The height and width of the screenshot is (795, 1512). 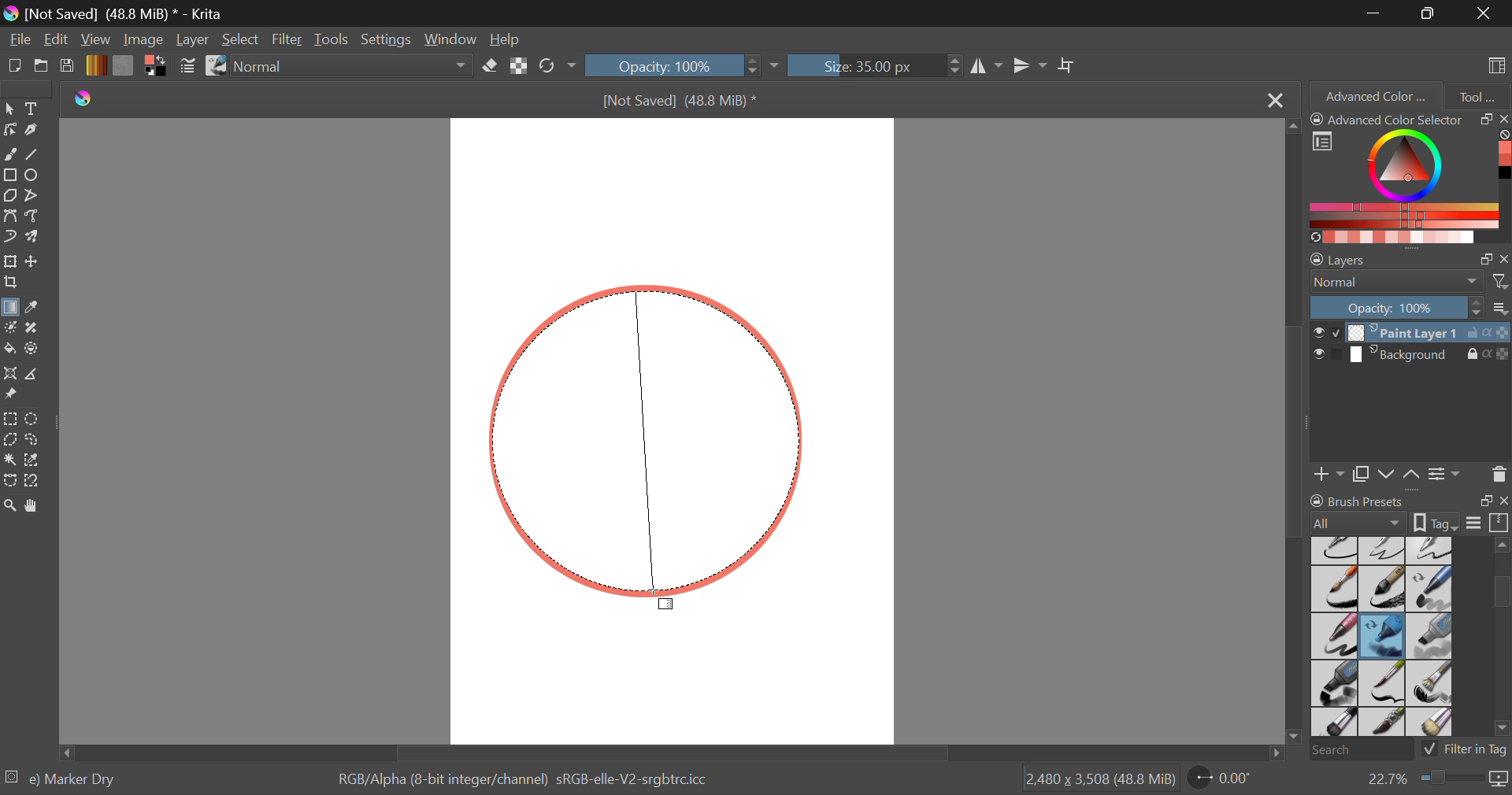 I want to click on Marker Plain, so click(x=1334, y=684).